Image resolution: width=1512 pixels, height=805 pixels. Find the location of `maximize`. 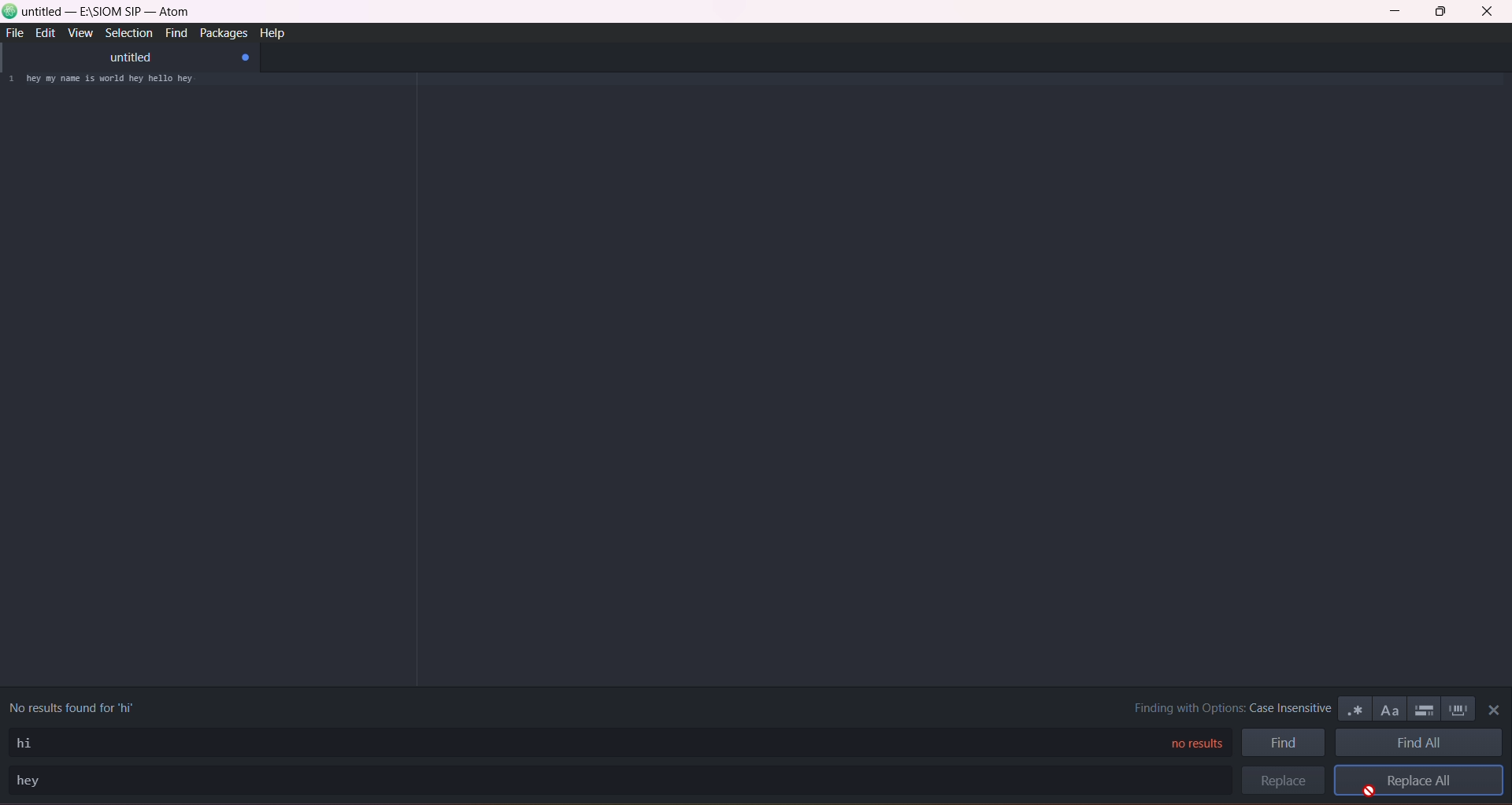

maximize is located at coordinates (1441, 13).